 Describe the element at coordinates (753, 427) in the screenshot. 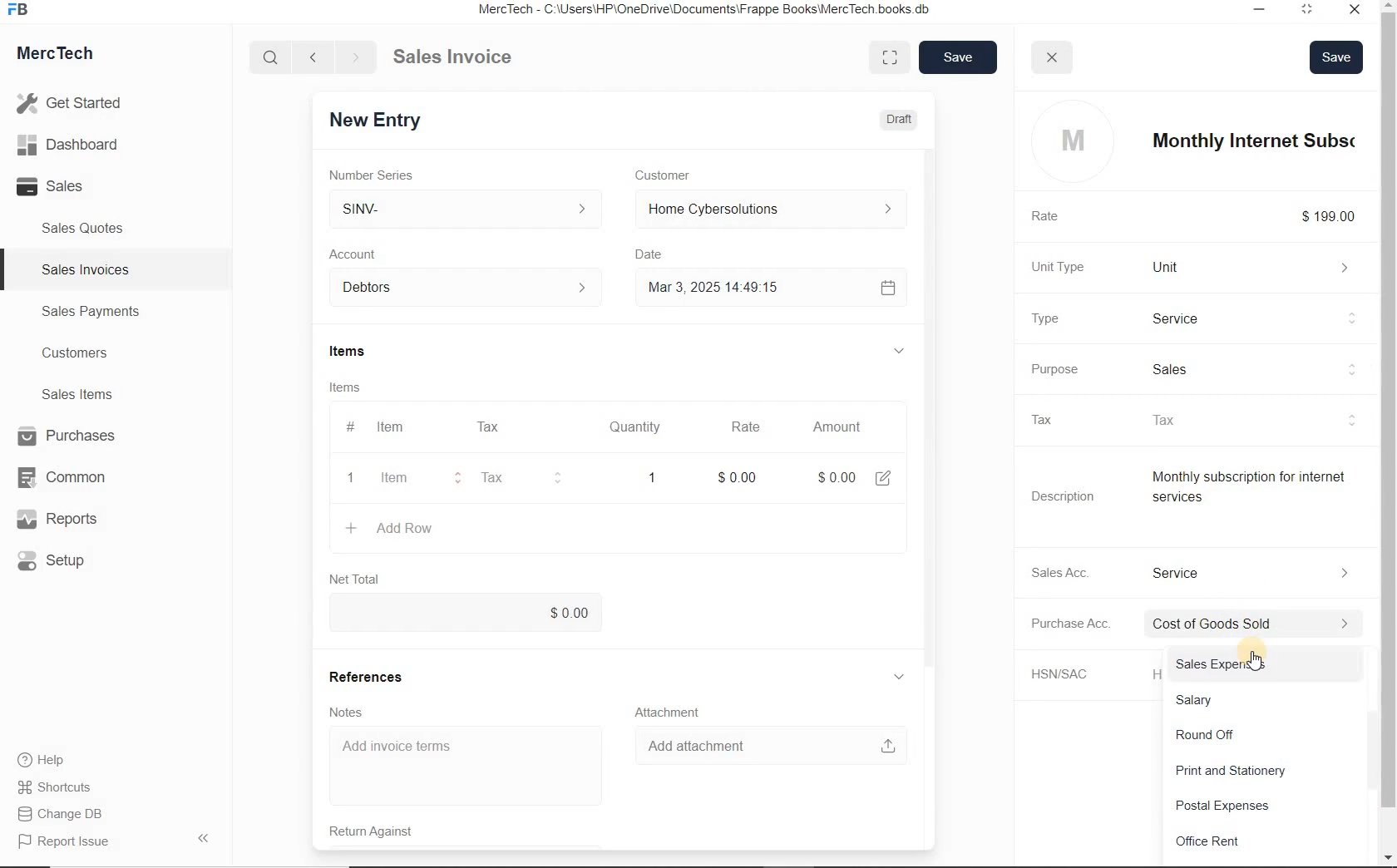

I see `Rate` at that location.